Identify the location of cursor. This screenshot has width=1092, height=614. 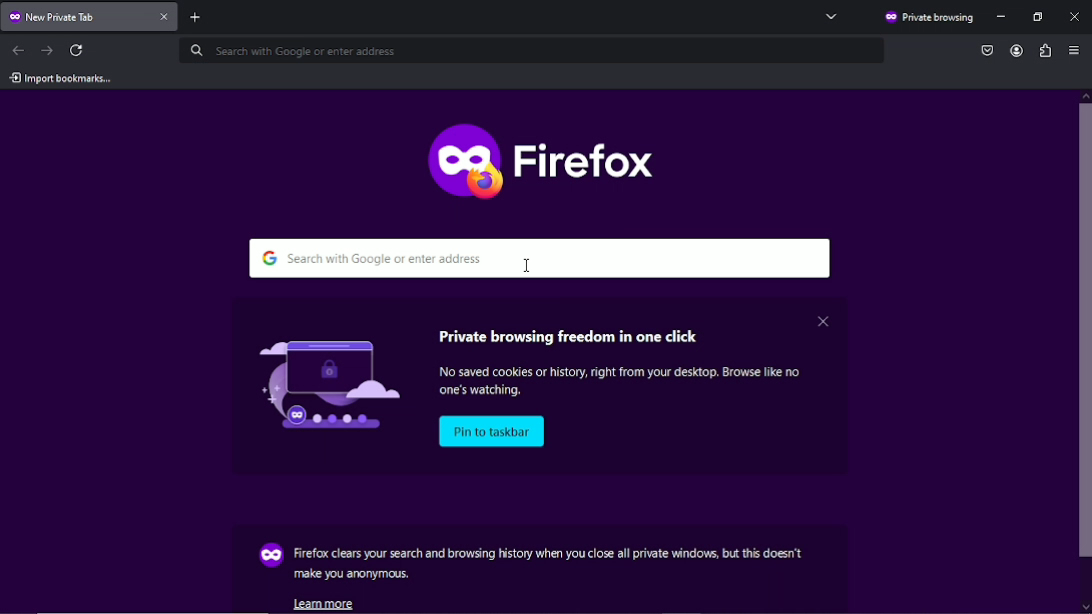
(529, 265).